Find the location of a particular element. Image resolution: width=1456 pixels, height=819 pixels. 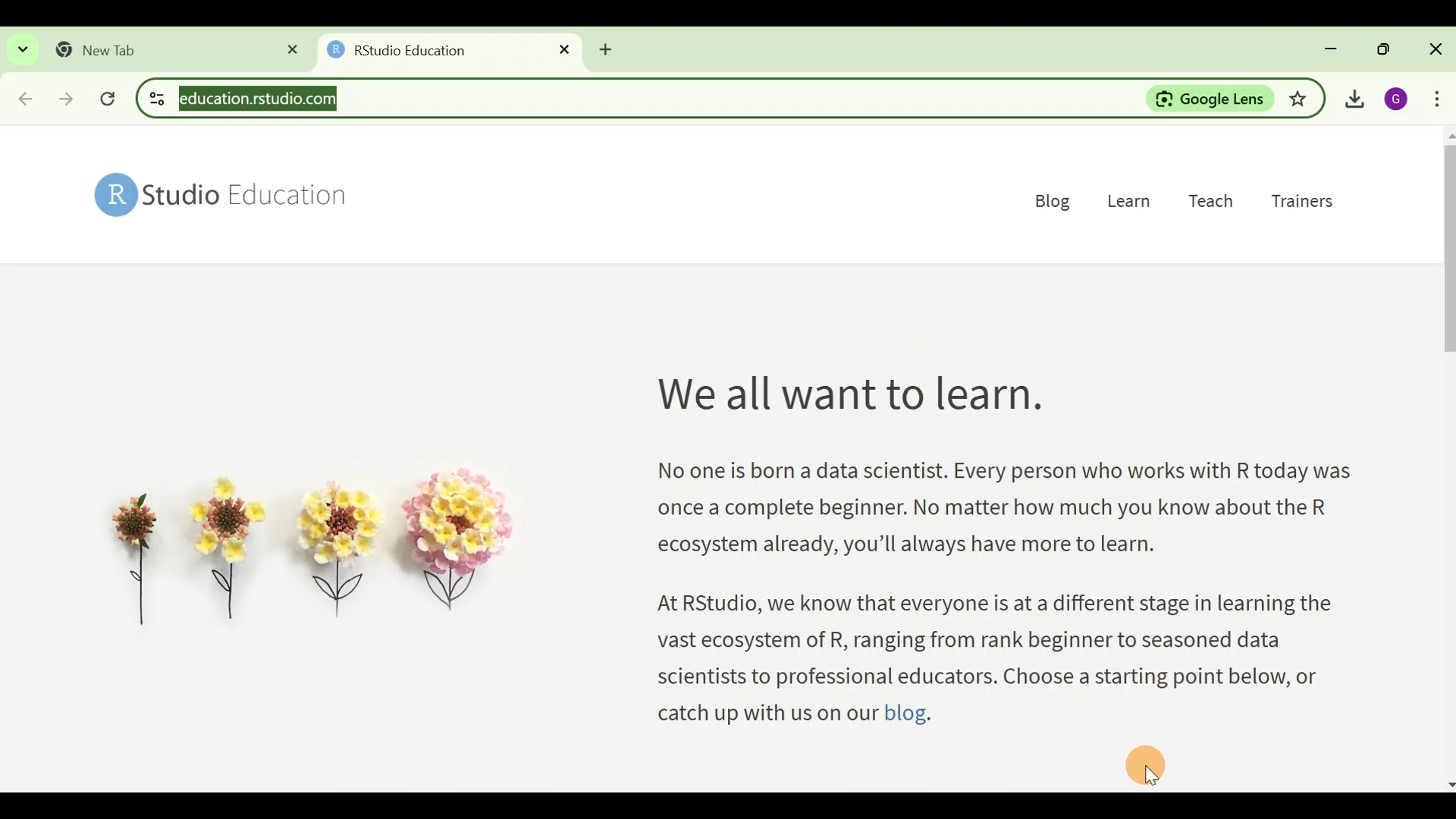

Reload this page is located at coordinates (112, 99).